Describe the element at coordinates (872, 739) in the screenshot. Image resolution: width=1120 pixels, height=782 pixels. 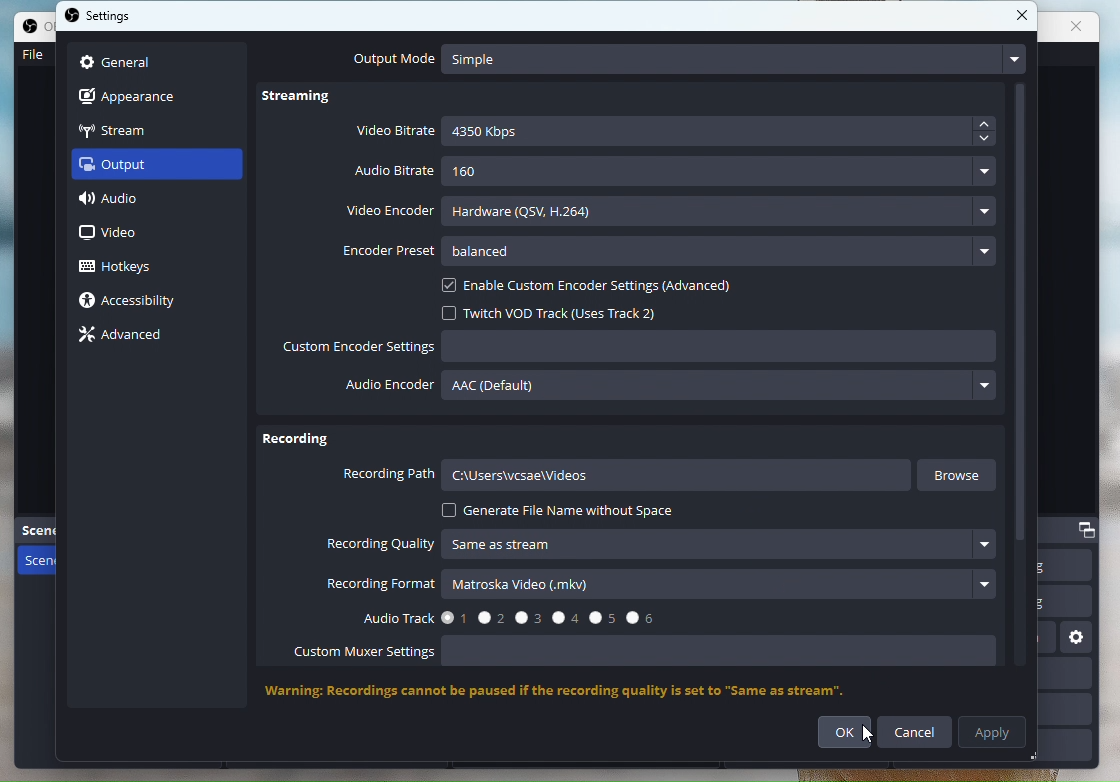
I see `cursor` at that location.